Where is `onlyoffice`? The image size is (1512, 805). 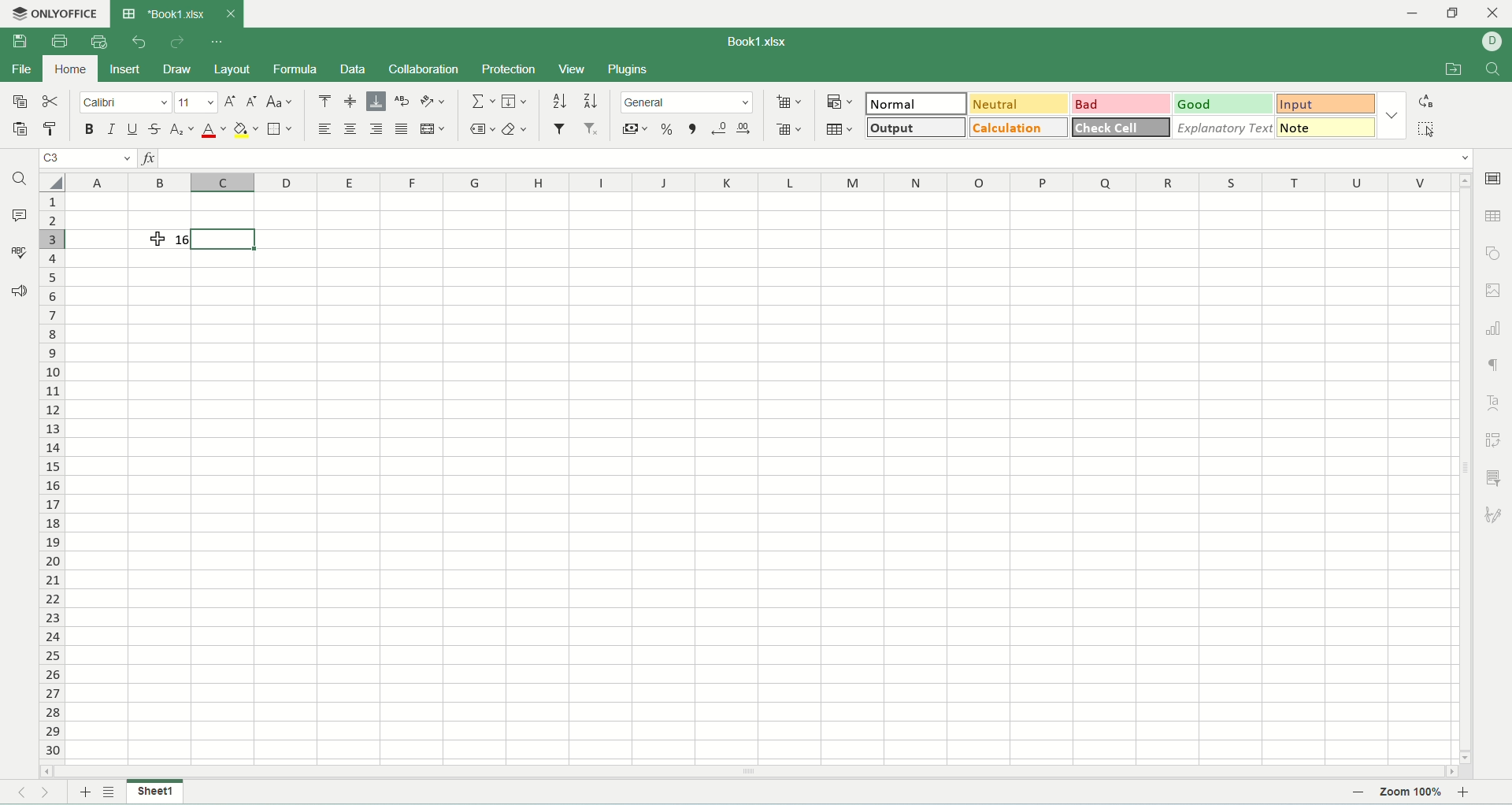 onlyoffice is located at coordinates (57, 14).